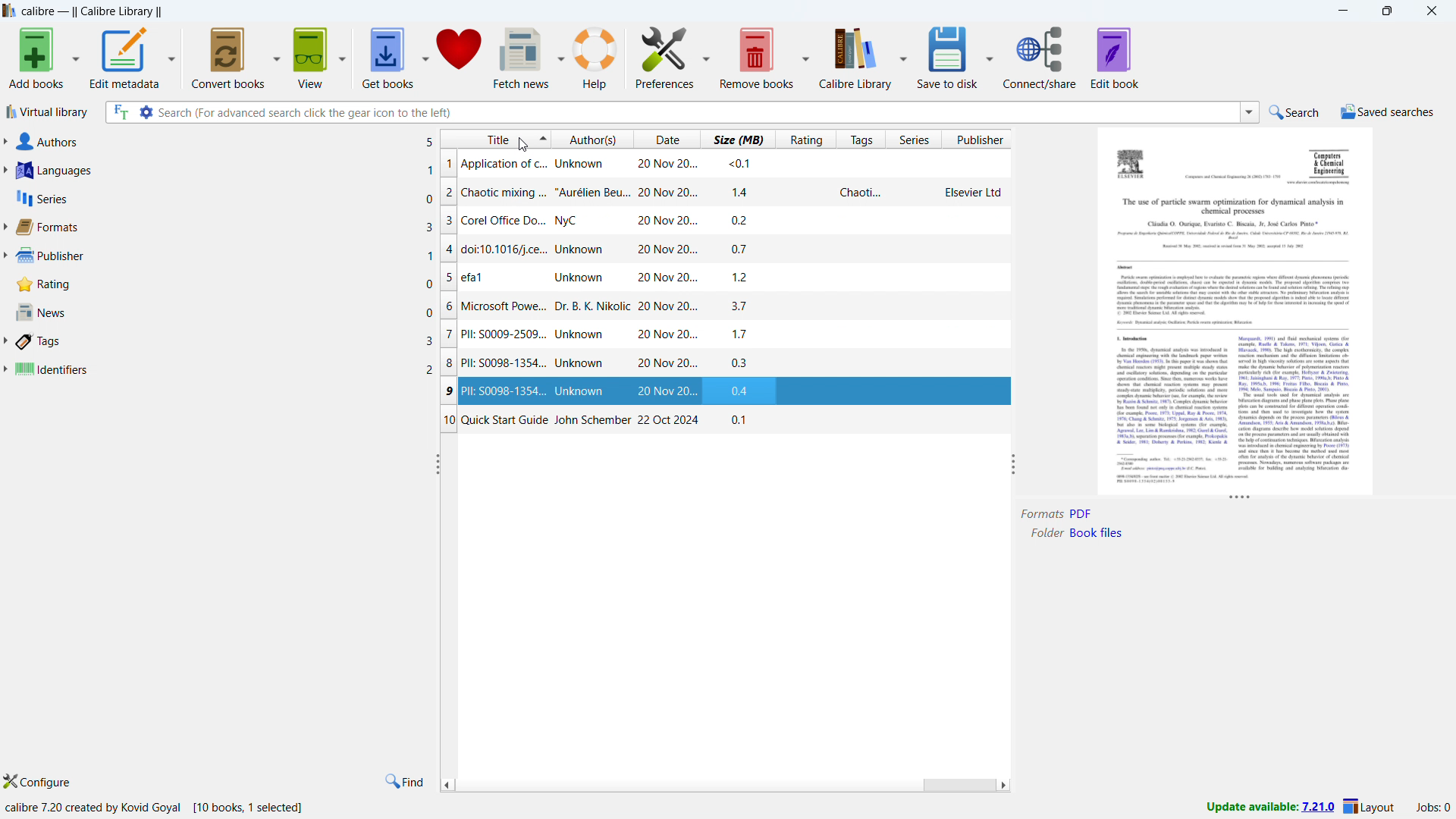 This screenshot has height=819, width=1456. Describe the element at coordinates (1014, 465) in the screenshot. I see `resize` at that location.